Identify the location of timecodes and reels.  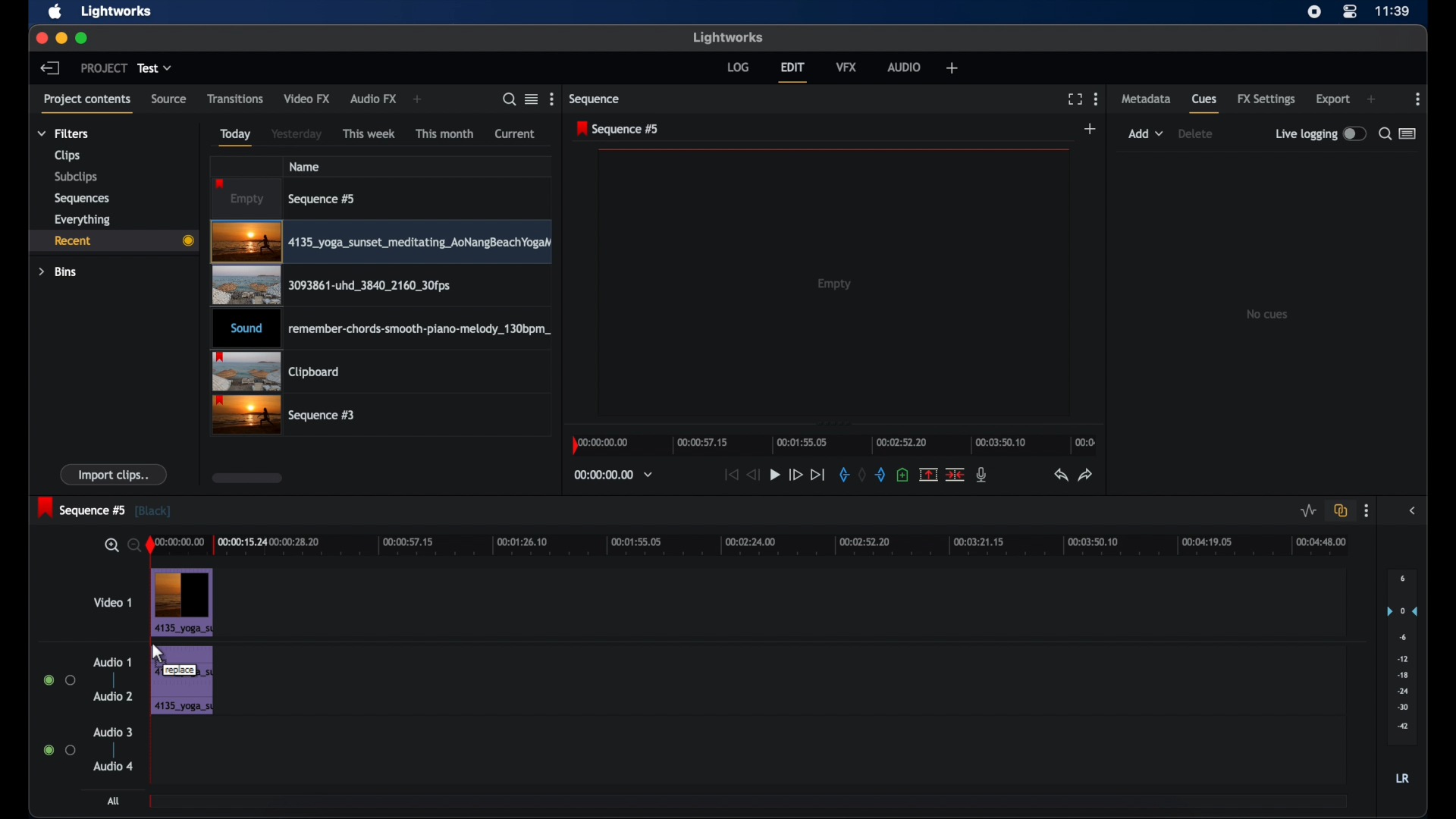
(617, 474).